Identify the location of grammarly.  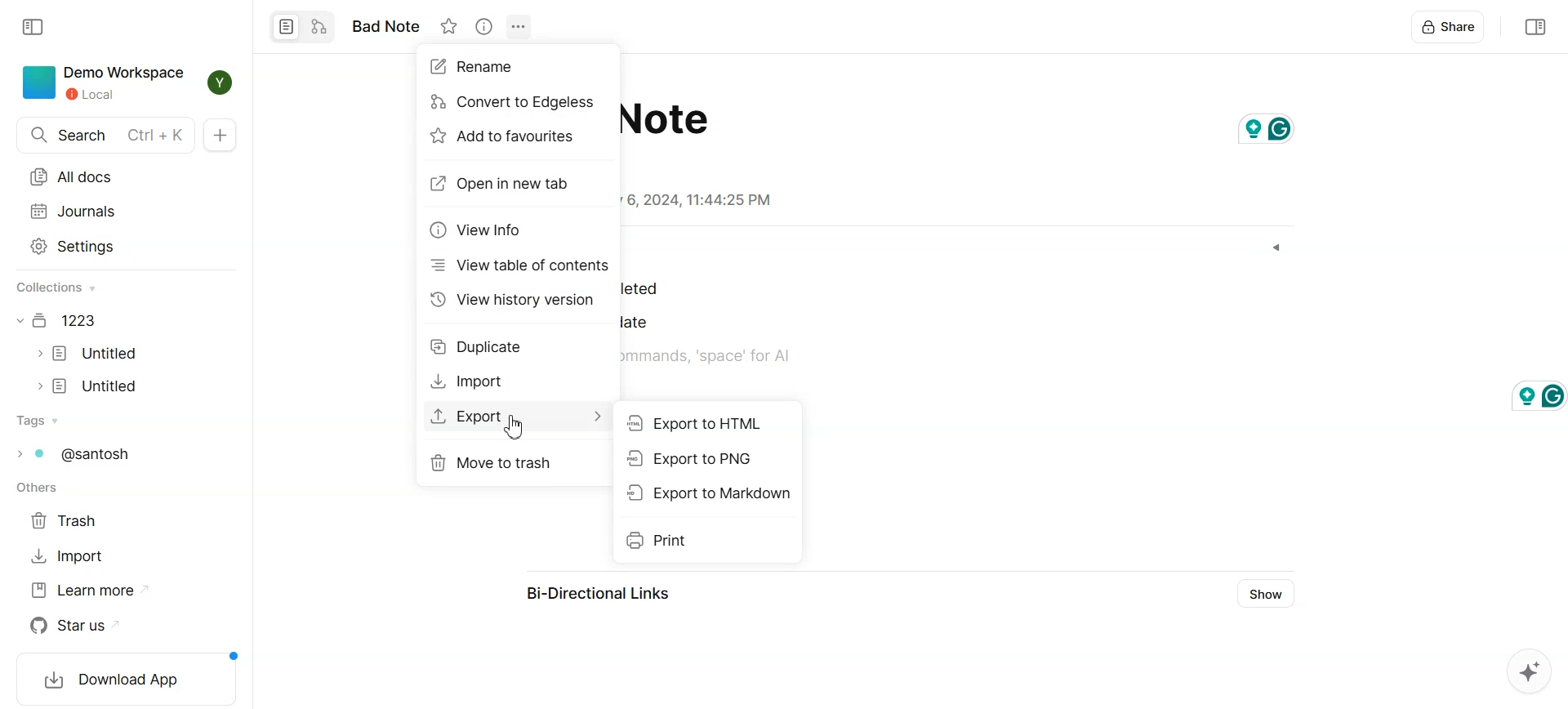
(1530, 395).